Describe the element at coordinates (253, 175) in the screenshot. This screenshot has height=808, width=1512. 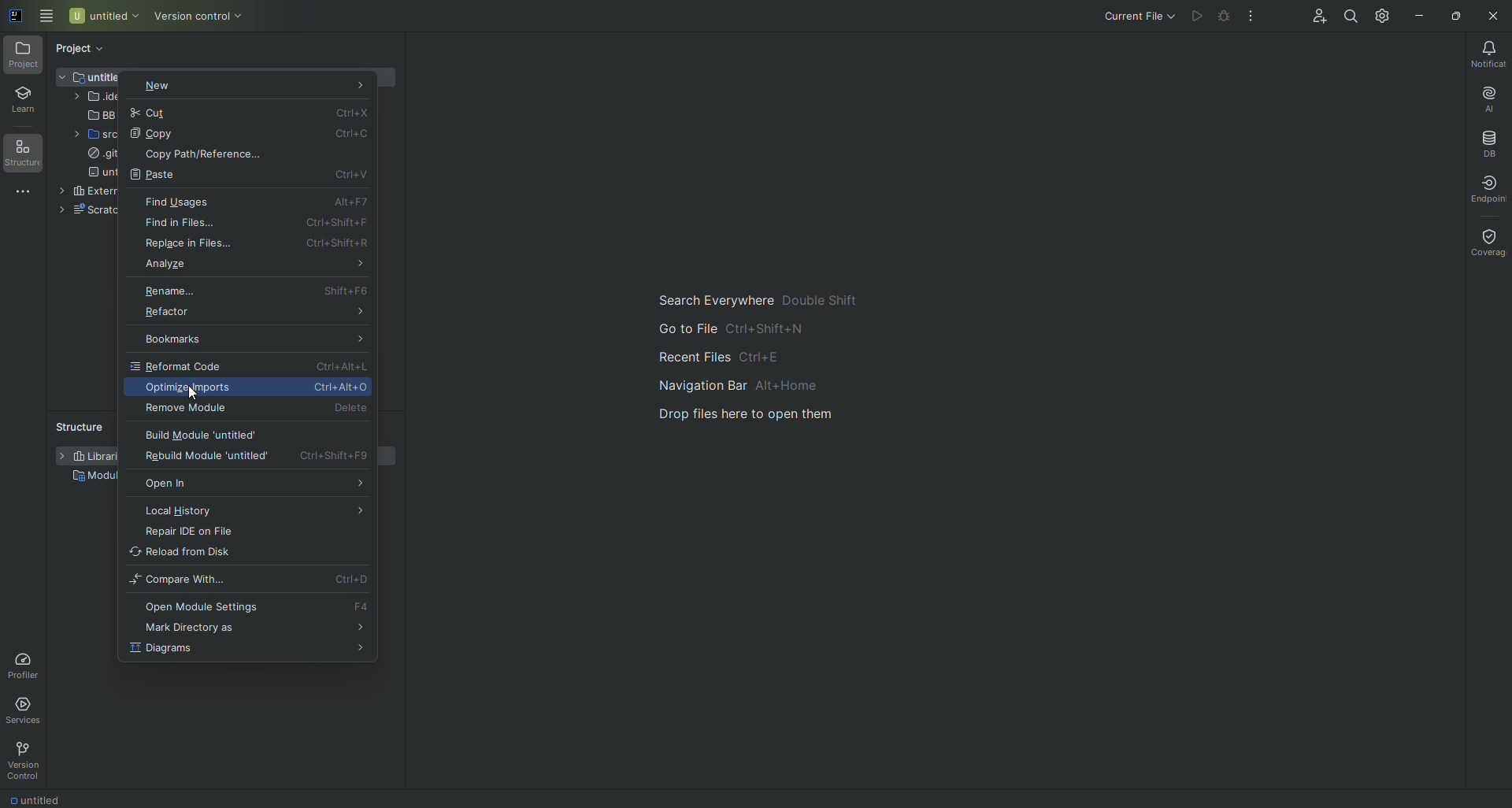
I see `Paste` at that location.